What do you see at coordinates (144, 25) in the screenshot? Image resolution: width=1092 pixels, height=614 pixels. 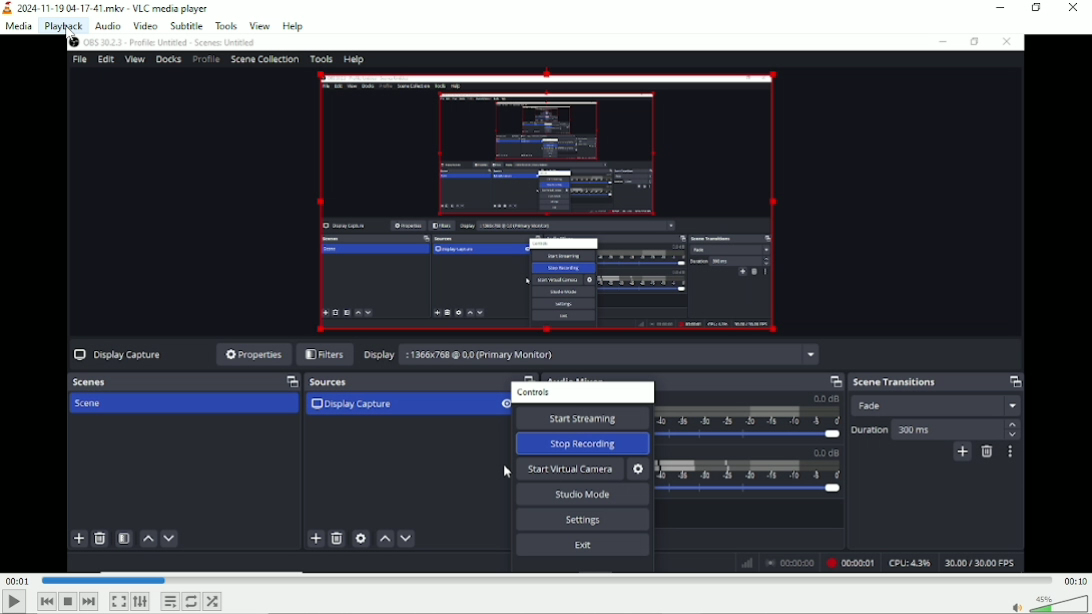 I see `video` at bounding box center [144, 25].